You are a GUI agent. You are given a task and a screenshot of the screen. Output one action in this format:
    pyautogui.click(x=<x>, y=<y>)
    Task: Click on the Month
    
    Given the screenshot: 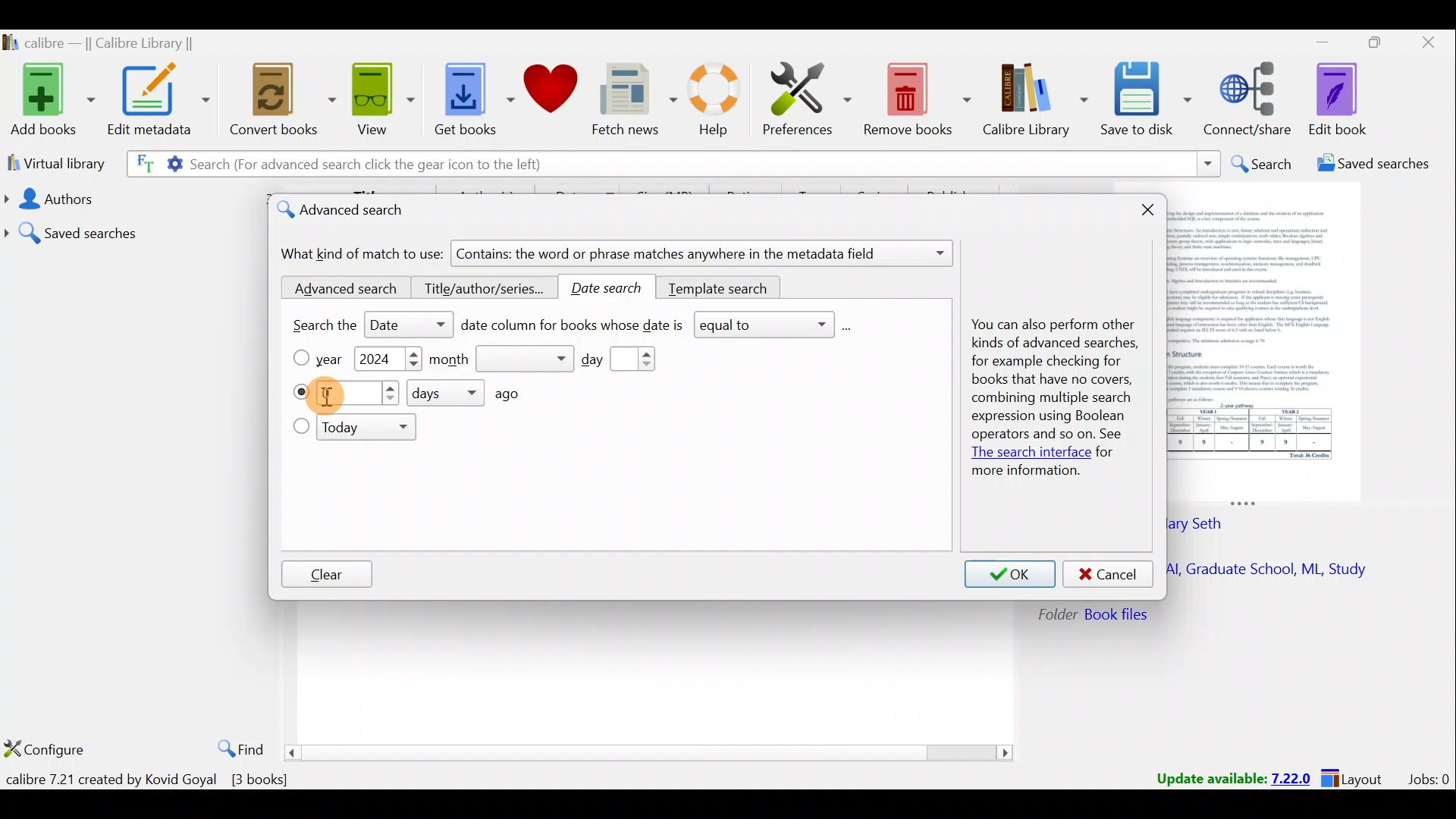 What is the action you would take?
    pyautogui.click(x=501, y=359)
    